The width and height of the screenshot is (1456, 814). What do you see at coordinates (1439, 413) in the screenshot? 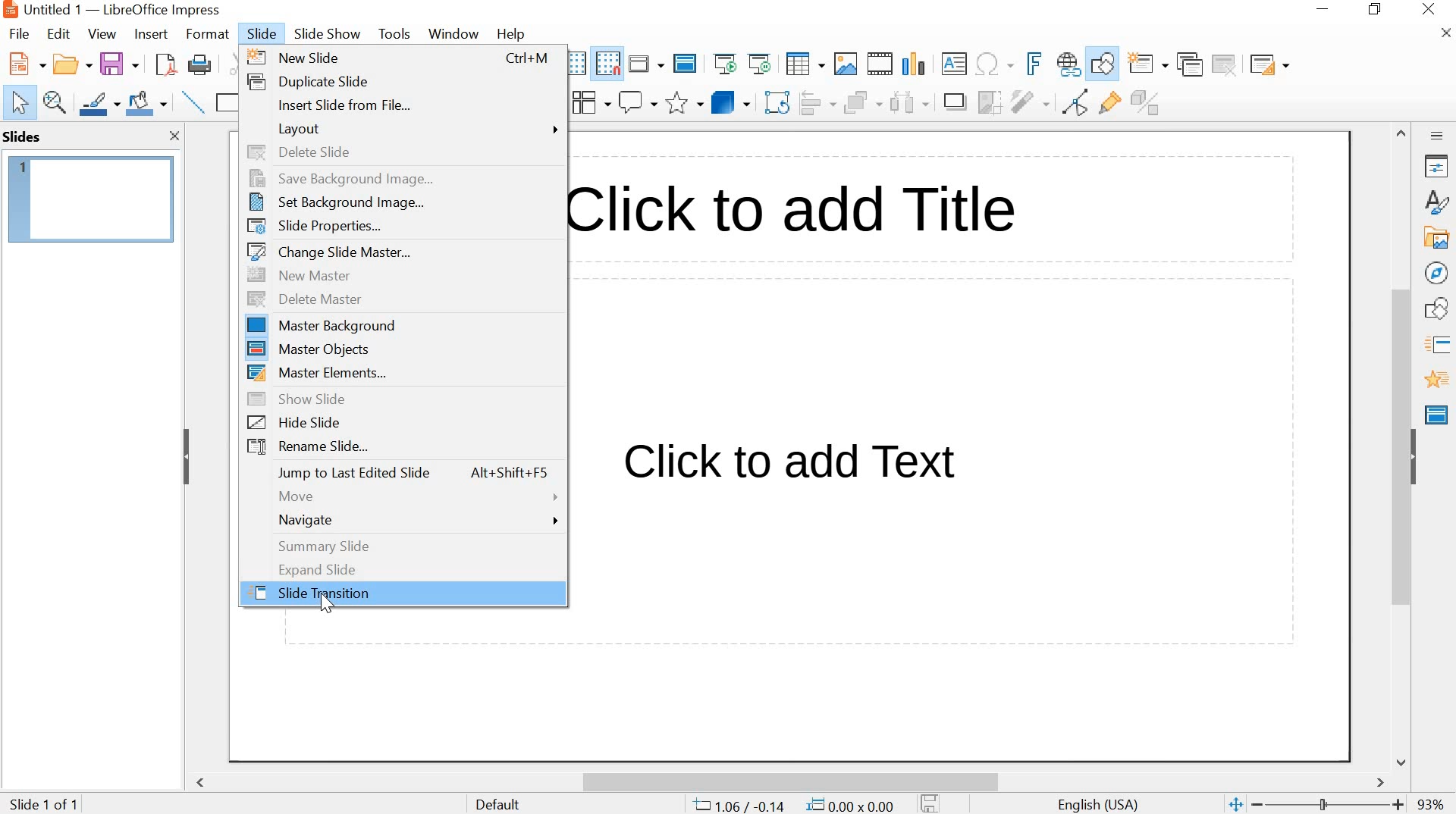
I see `Master slides` at bounding box center [1439, 413].